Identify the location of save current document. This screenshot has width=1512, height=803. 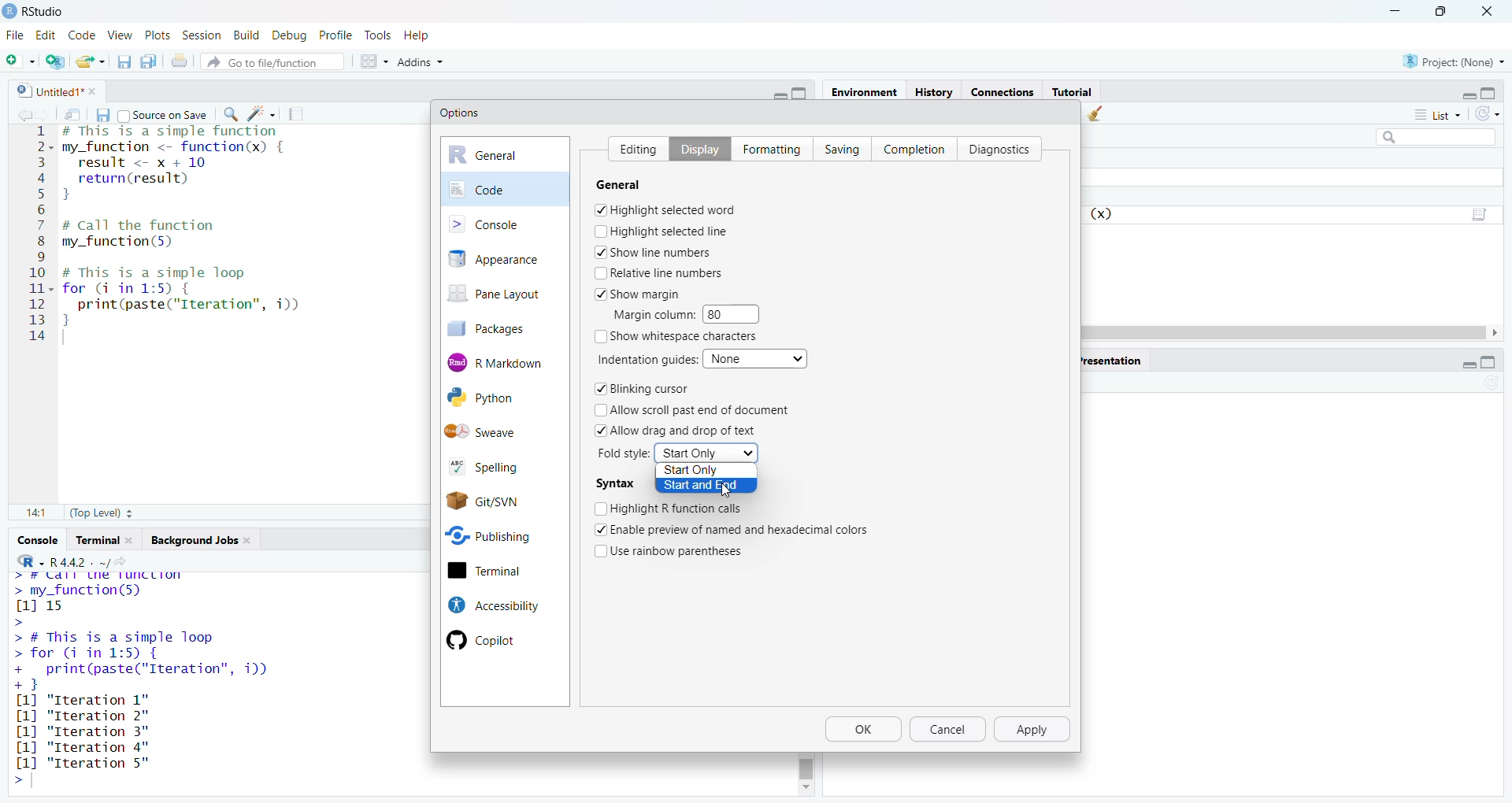
(124, 61).